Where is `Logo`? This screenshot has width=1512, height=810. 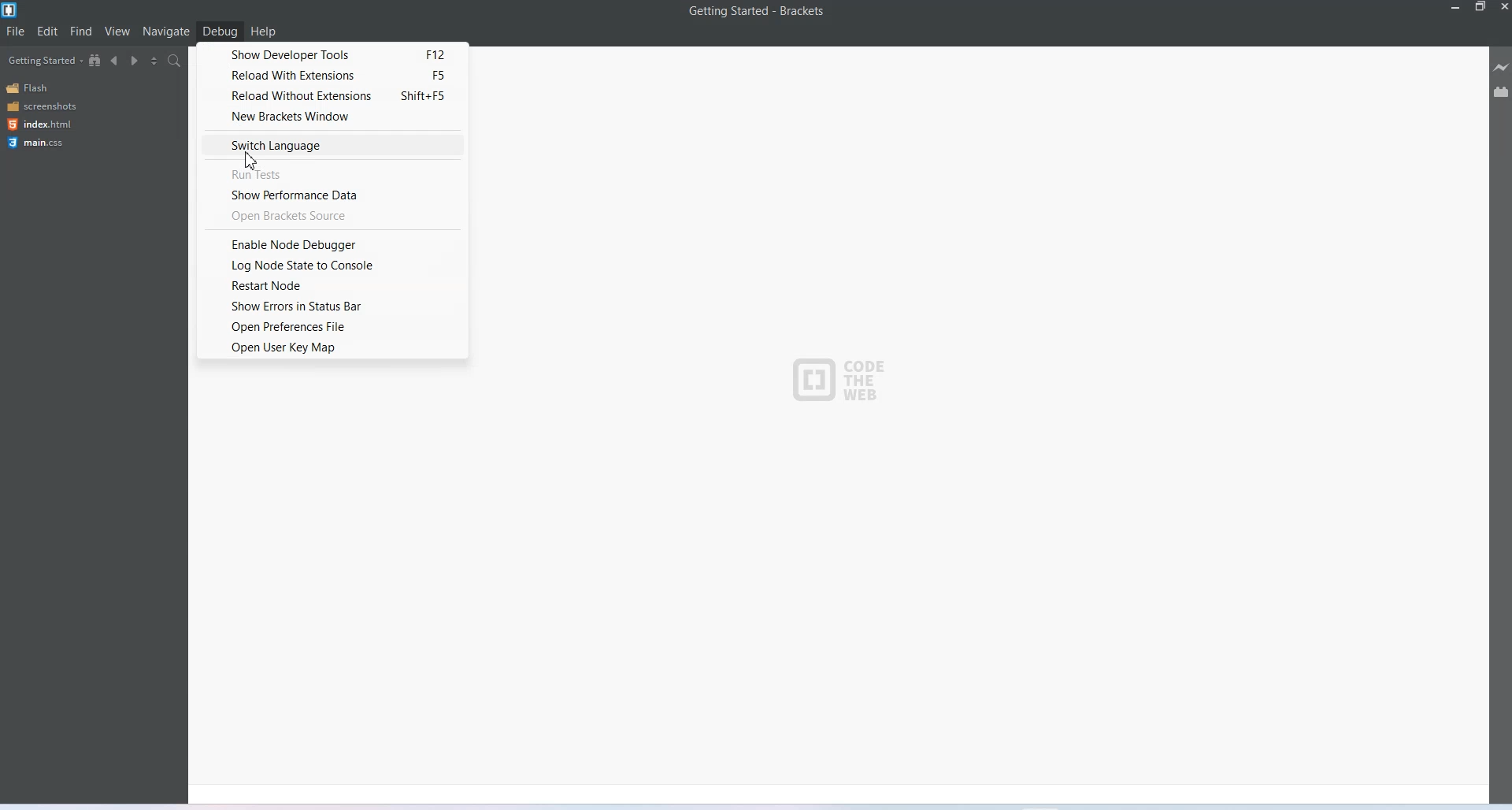
Logo is located at coordinates (838, 373).